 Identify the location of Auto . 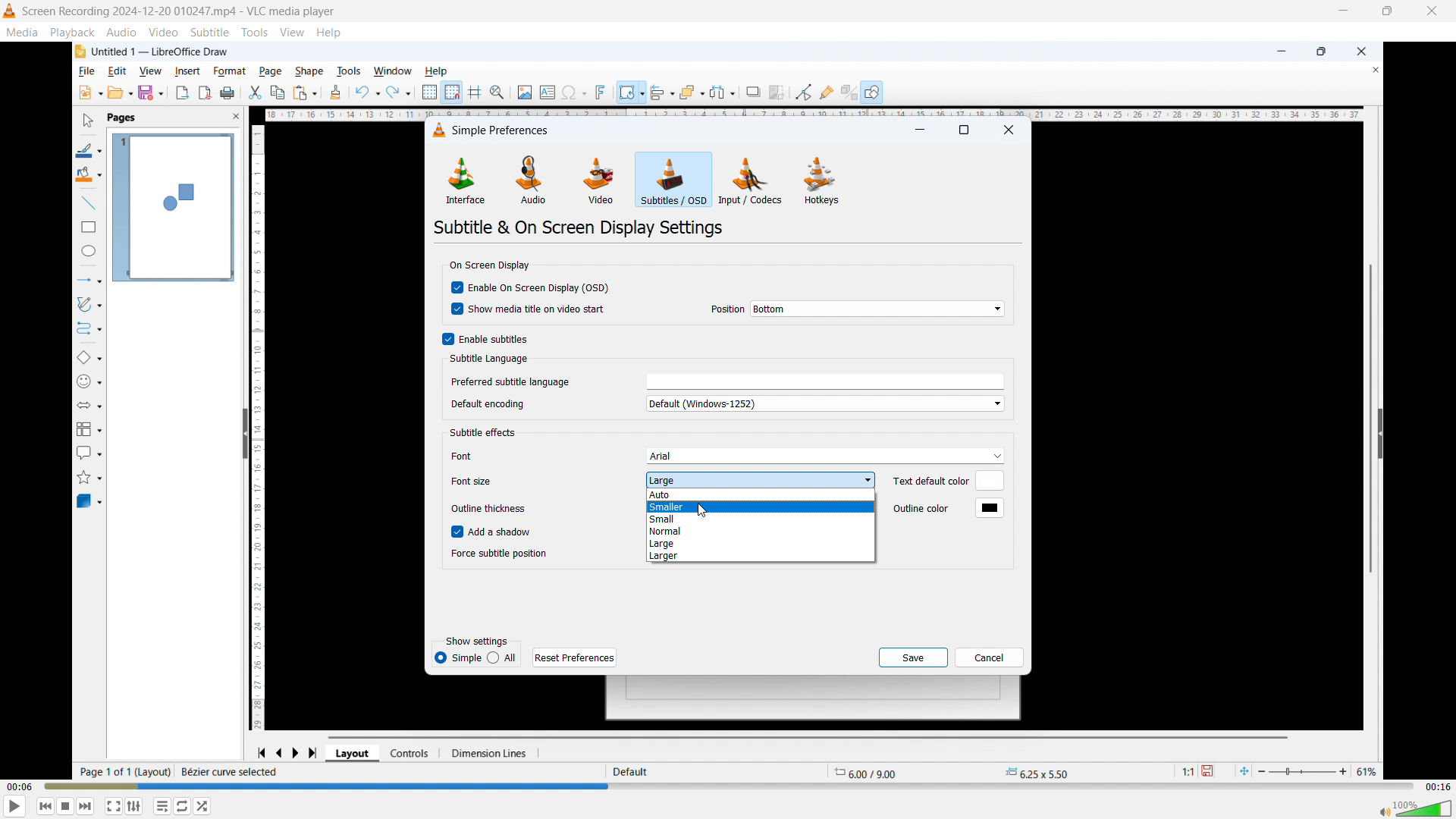
(761, 494).